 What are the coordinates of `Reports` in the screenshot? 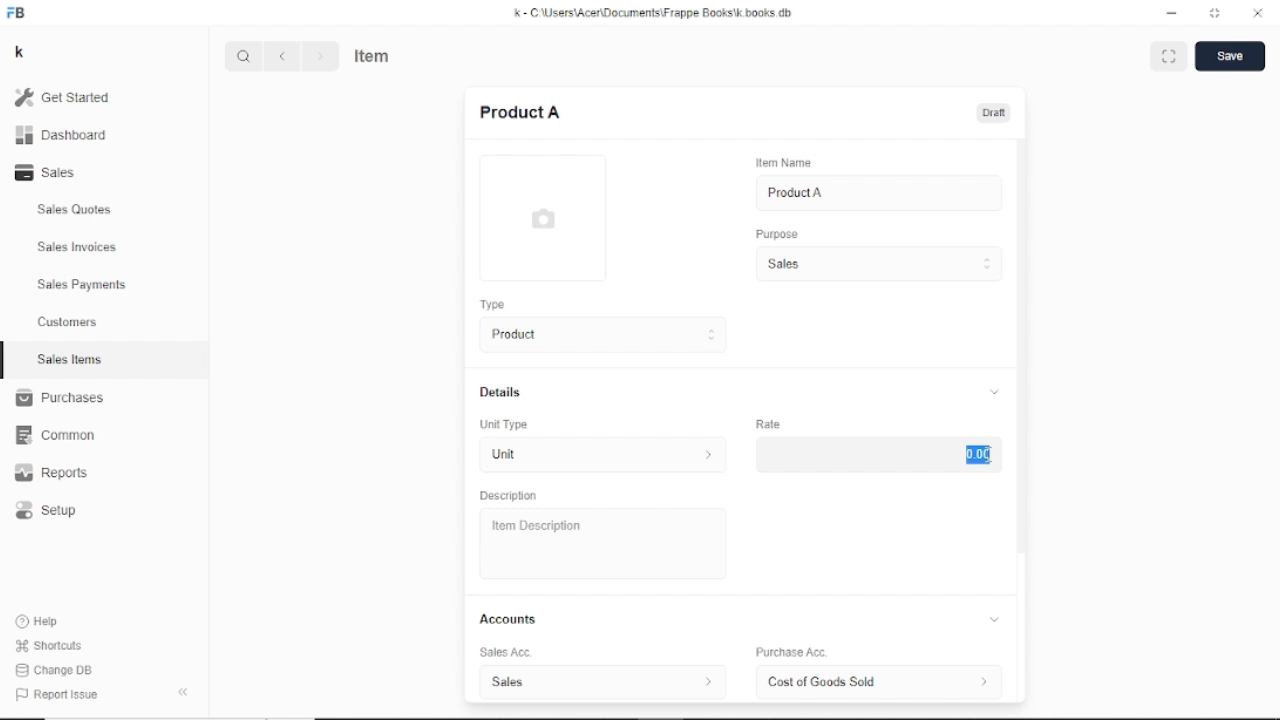 It's located at (52, 472).